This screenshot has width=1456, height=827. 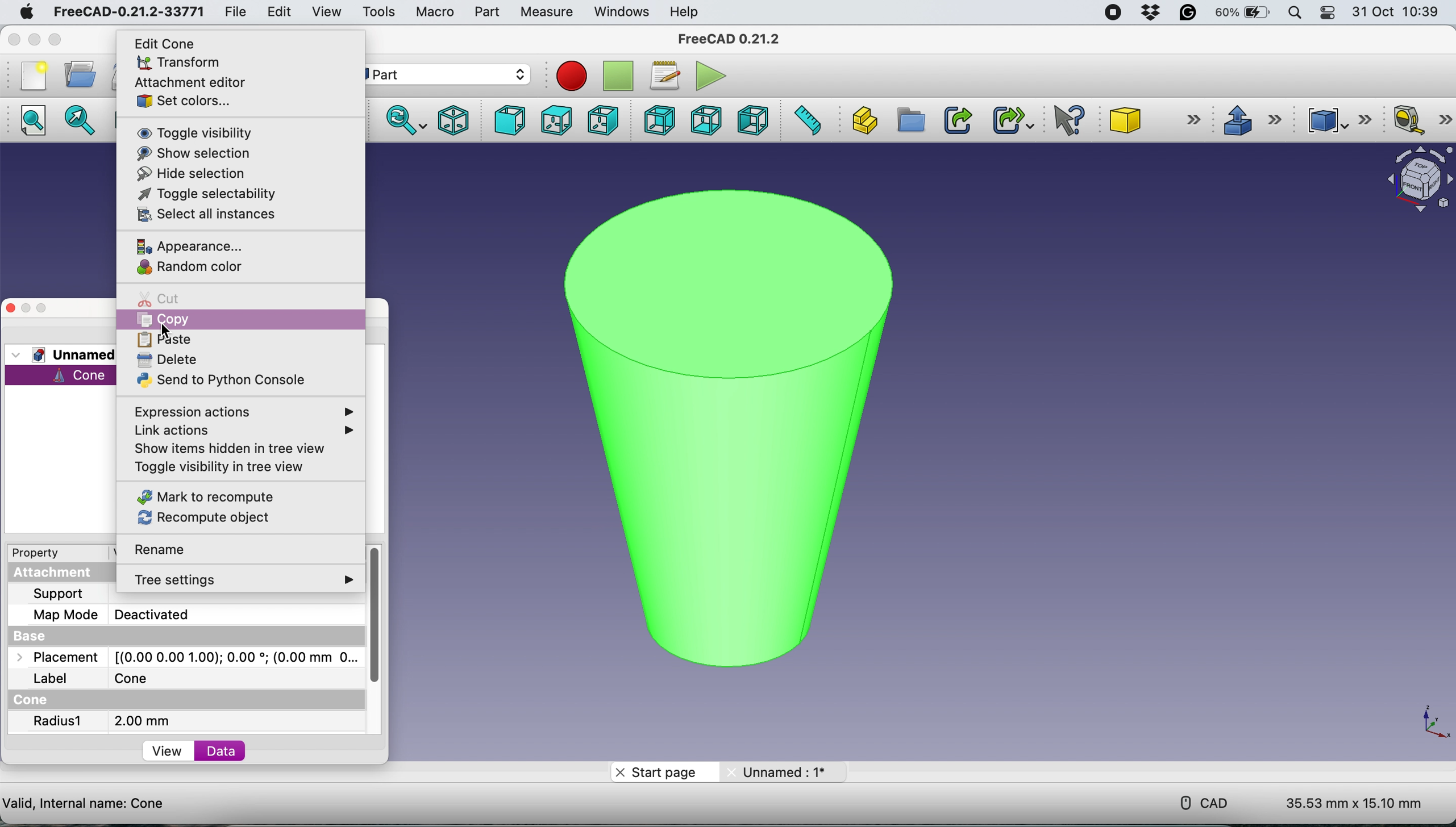 What do you see at coordinates (685, 11) in the screenshot?
I see `help` at bounding box center [685, 11].